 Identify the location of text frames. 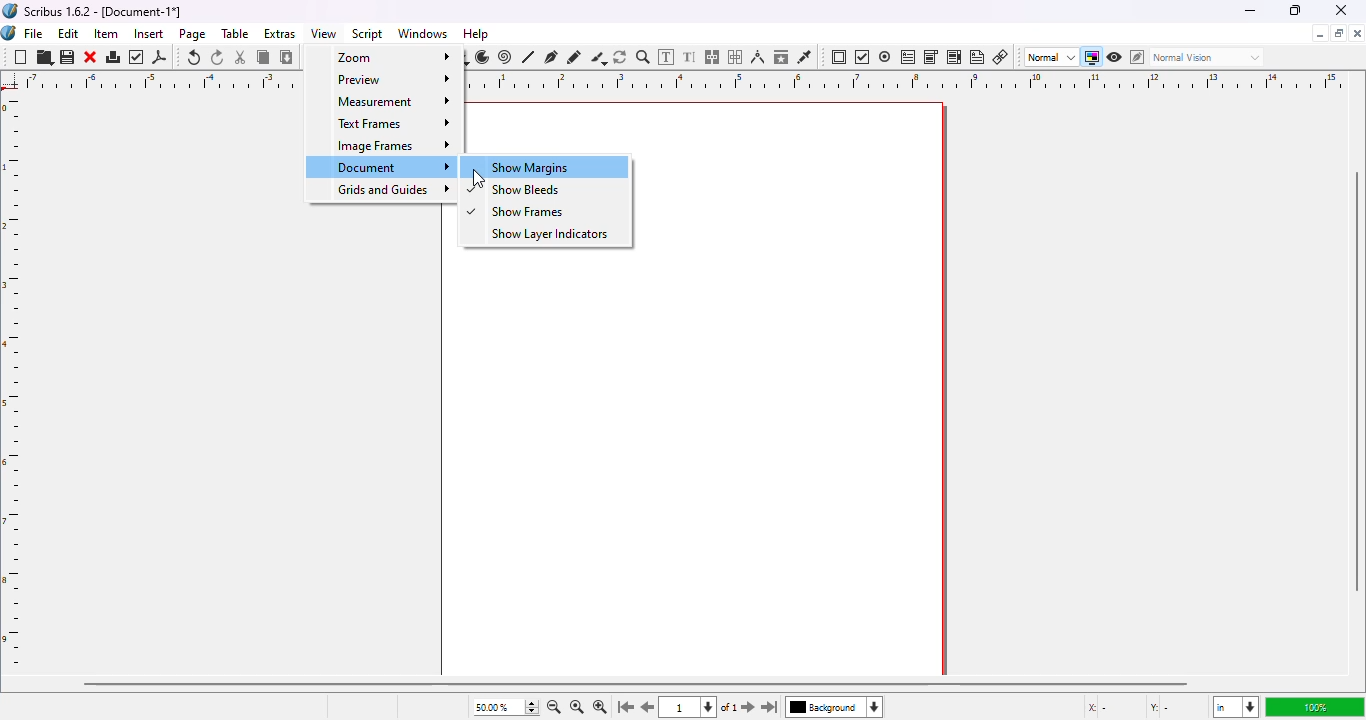
(382, 123).